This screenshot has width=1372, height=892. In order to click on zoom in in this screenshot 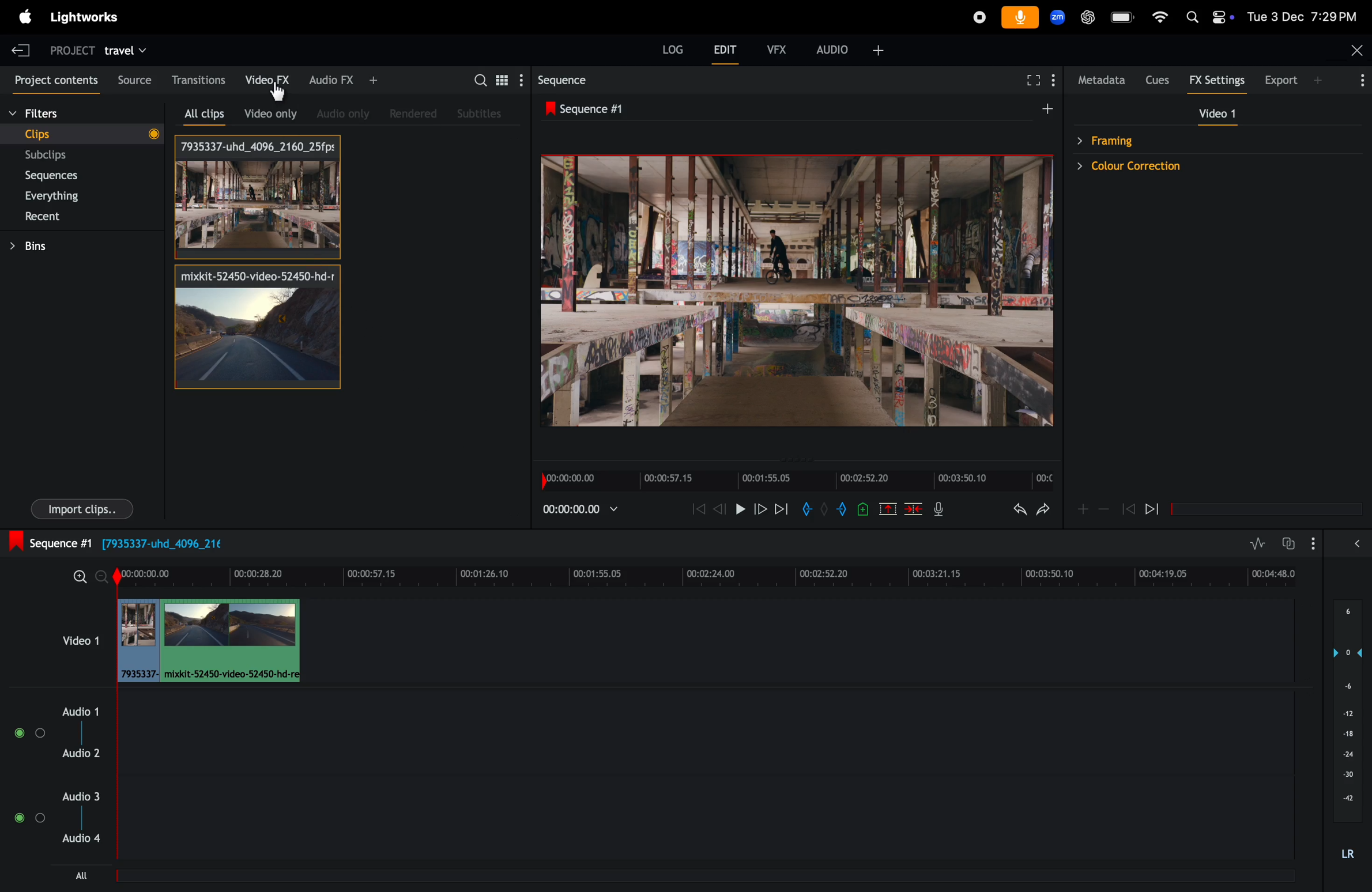, I will do `click(103, 579)`.